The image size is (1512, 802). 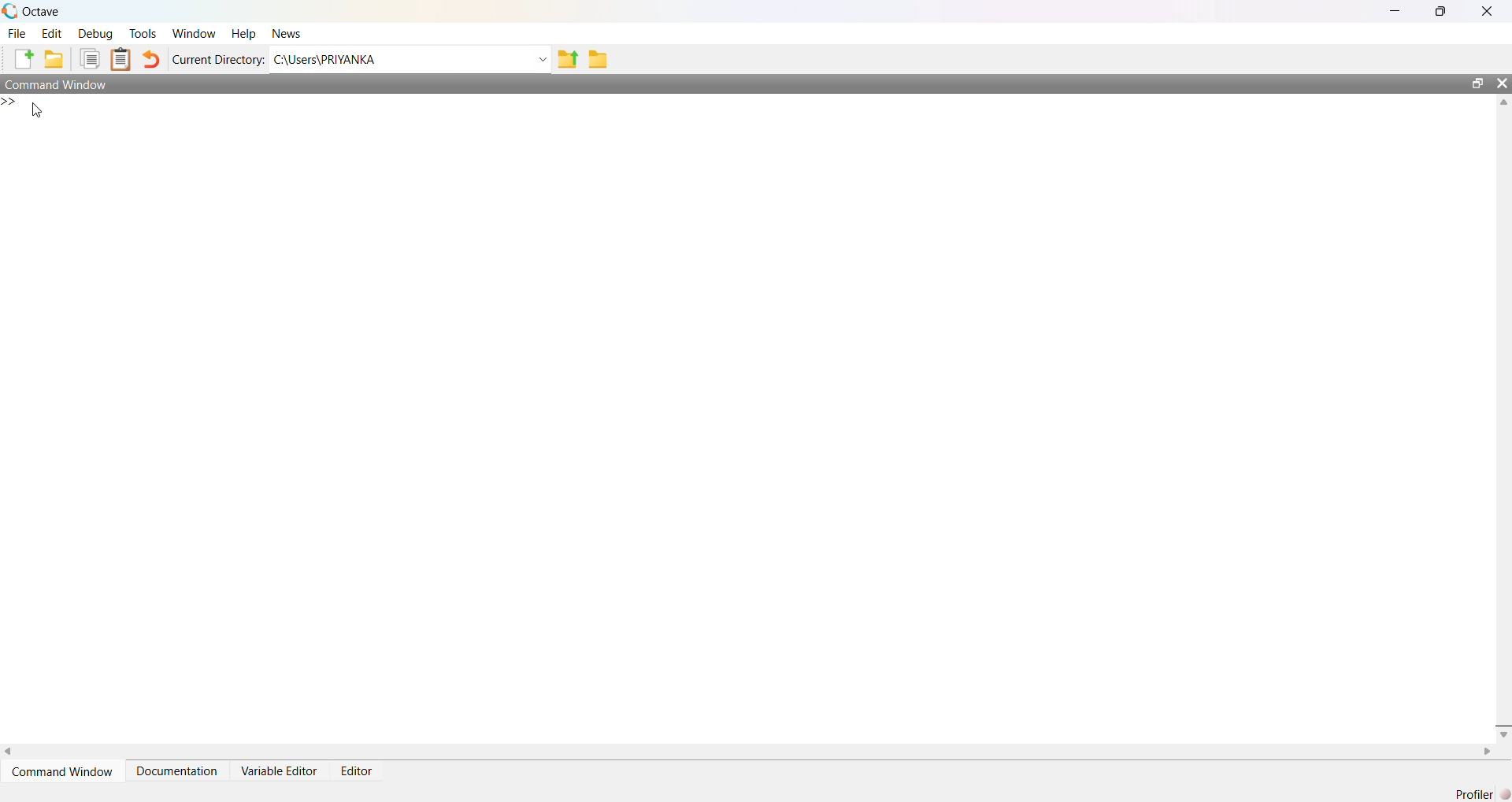 I want to click on edit, so click(x=54, y=33).